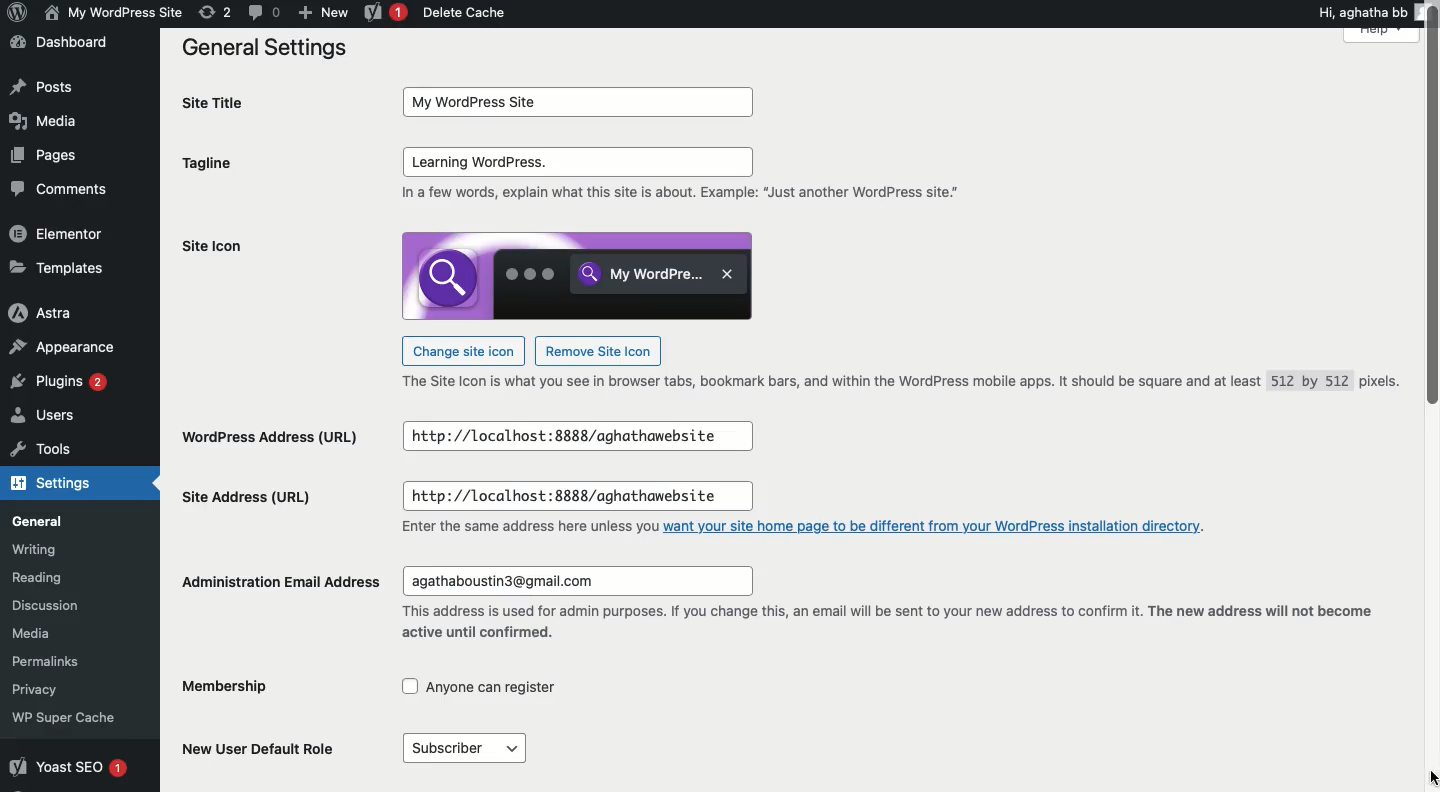 Image resolution: width=1440 pixels, height=792 pixels. Describe the element at coordinates (57, 480) in the screenshot. I see `Settings` at that location.